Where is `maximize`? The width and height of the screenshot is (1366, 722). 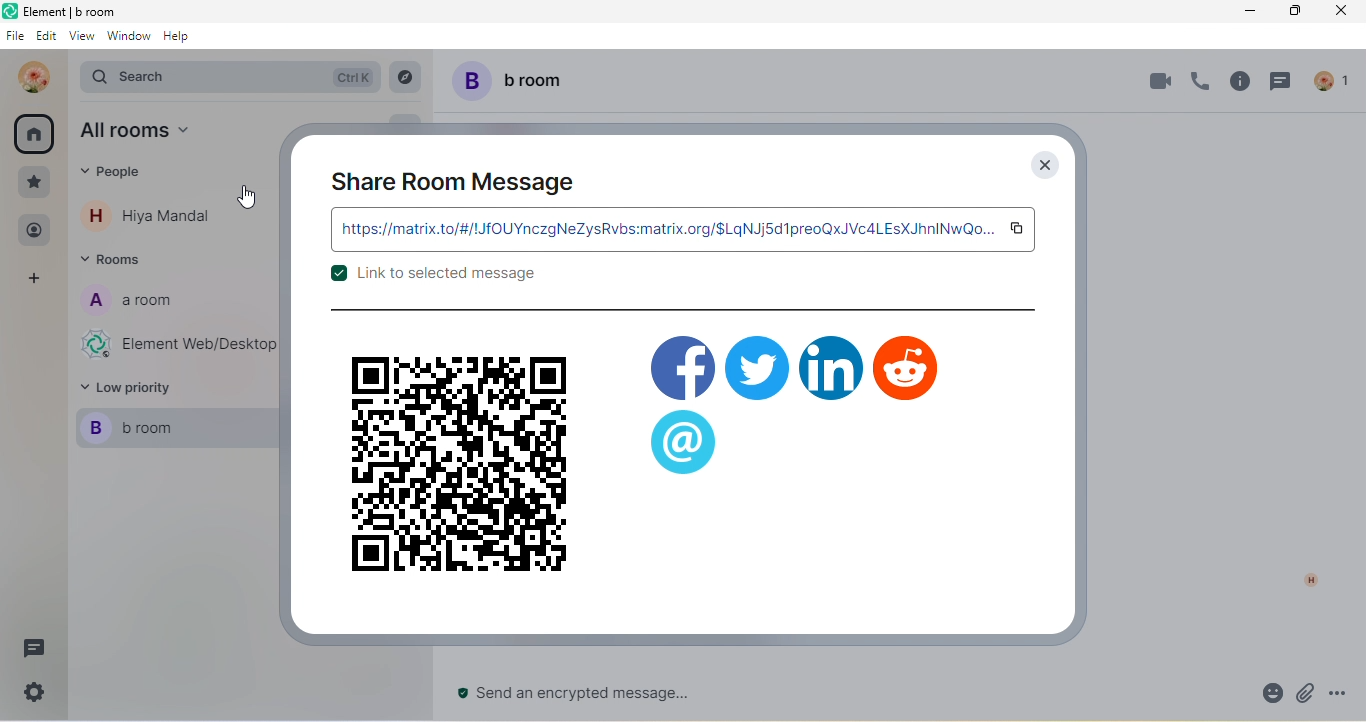
maximize is located at coordinates (1291, 12).